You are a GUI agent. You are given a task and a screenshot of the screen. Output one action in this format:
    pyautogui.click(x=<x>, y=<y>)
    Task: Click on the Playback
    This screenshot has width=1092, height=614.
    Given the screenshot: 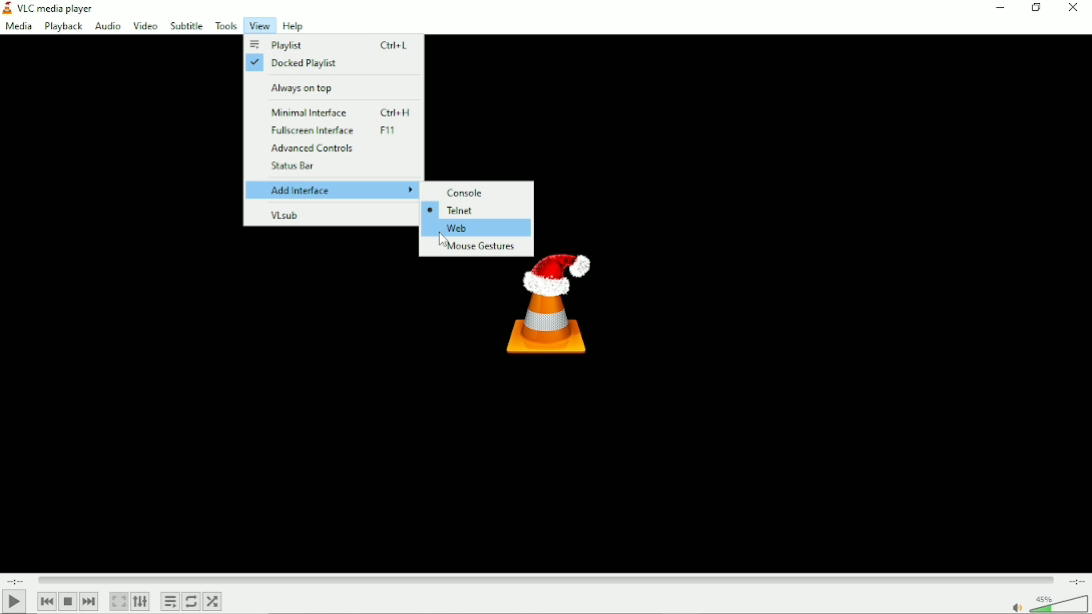 What is the action you would take?
    pyautogui.click(x=61, y=27)
    